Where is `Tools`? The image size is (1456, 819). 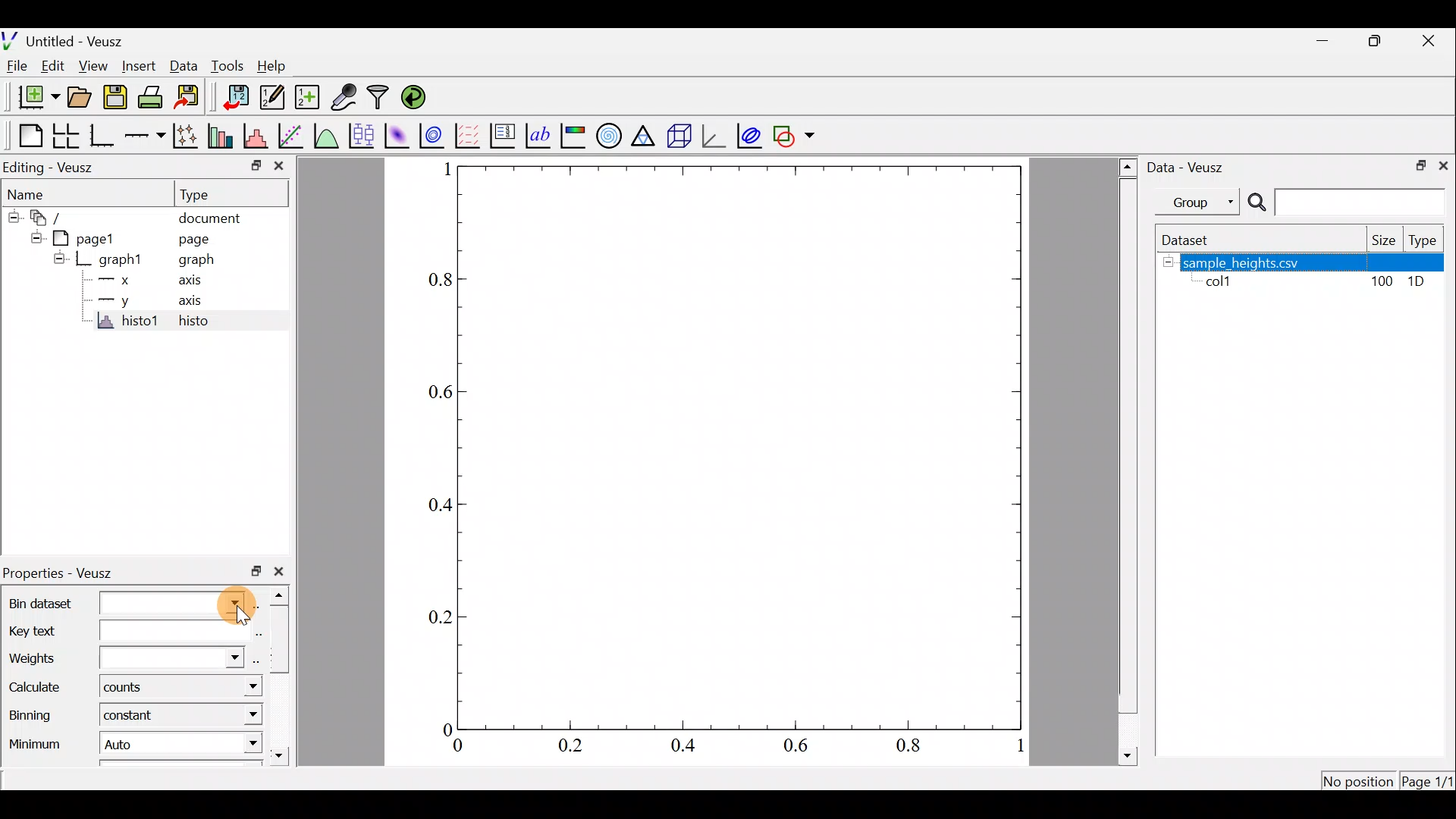
Tools is located at coordinates (227, 66).